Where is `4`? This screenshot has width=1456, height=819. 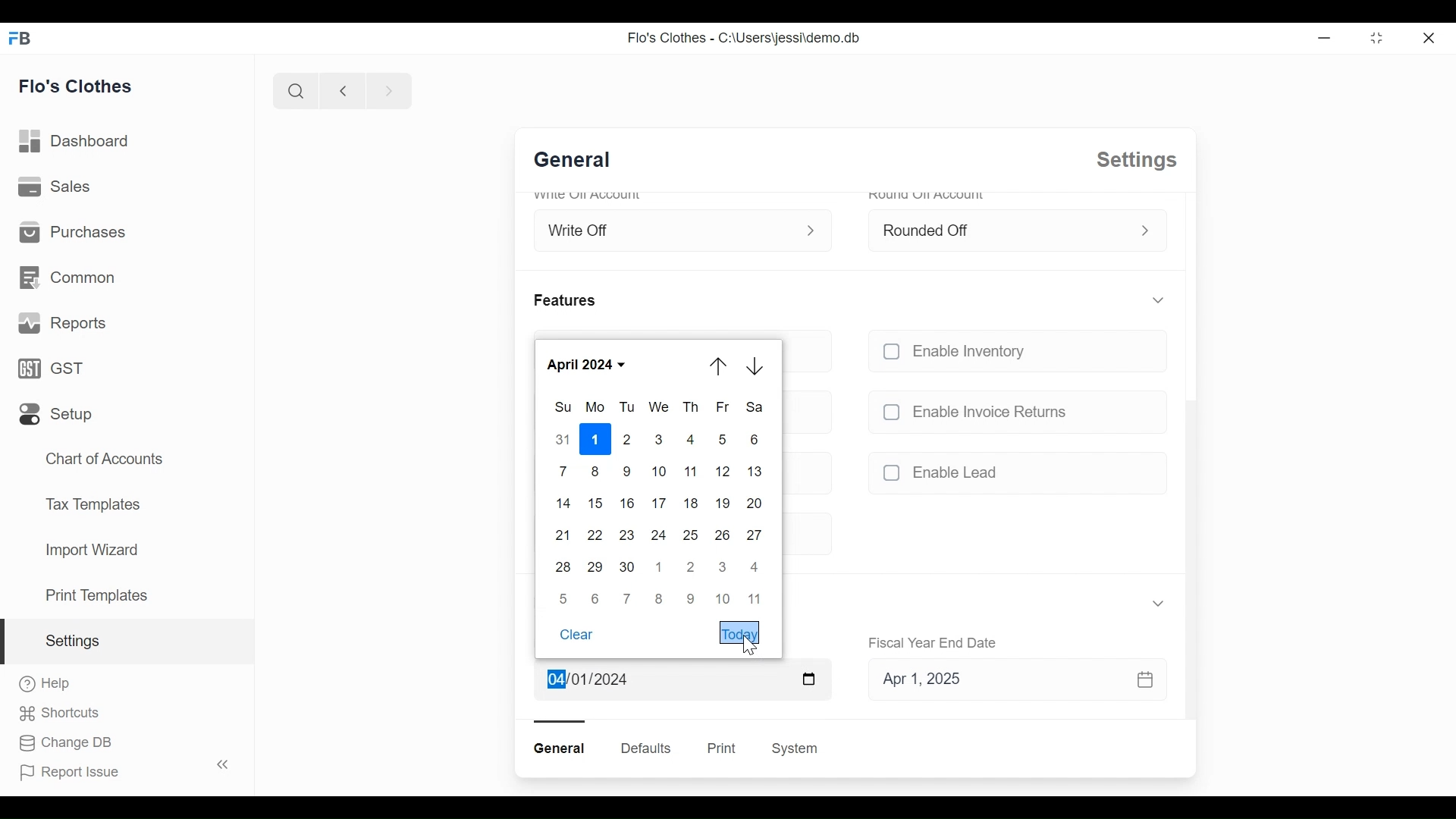
4 is located at coordinates (754, 566).